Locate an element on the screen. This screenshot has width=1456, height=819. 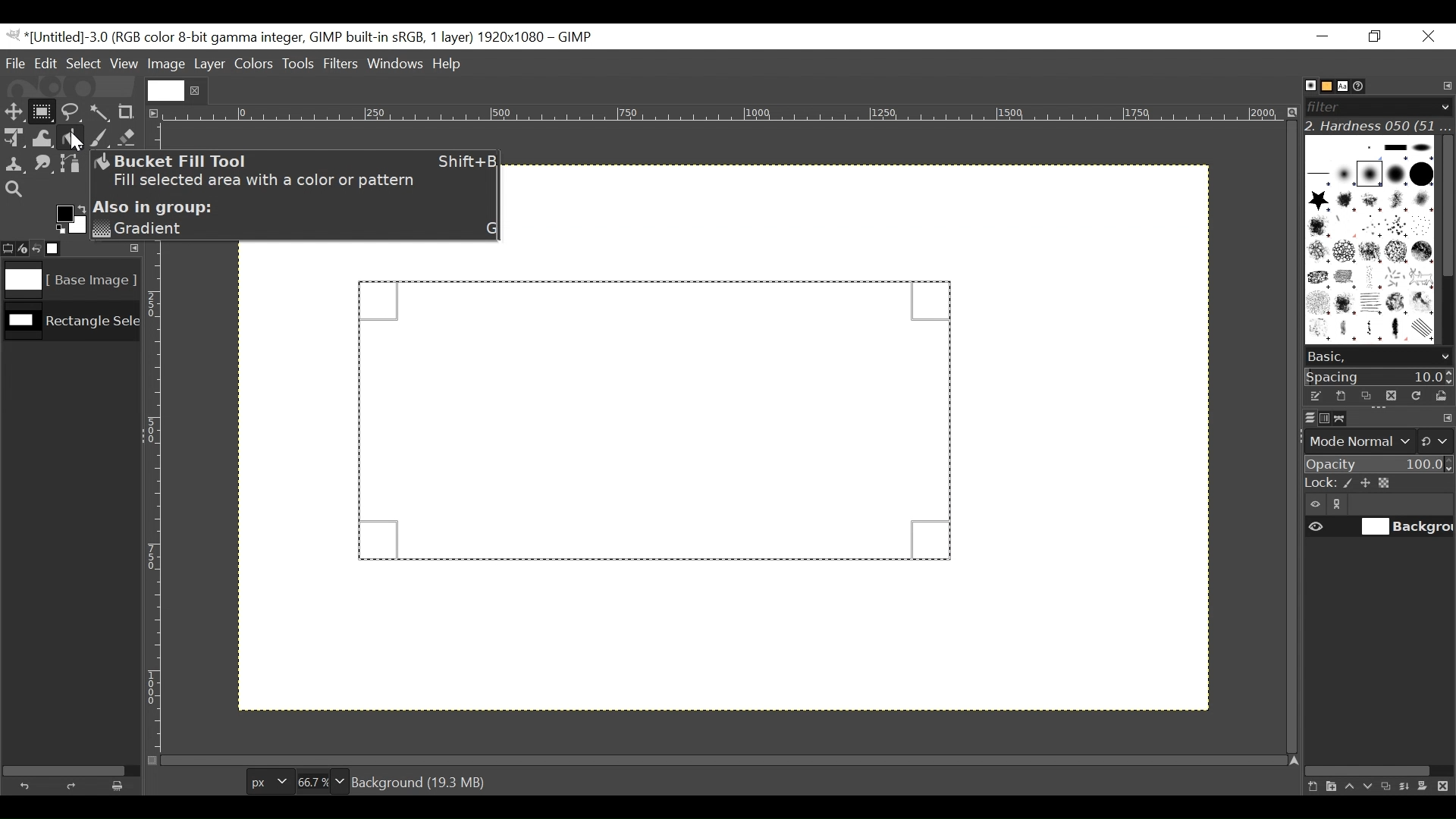
configure this tab is located at coordinates (1447, 419).